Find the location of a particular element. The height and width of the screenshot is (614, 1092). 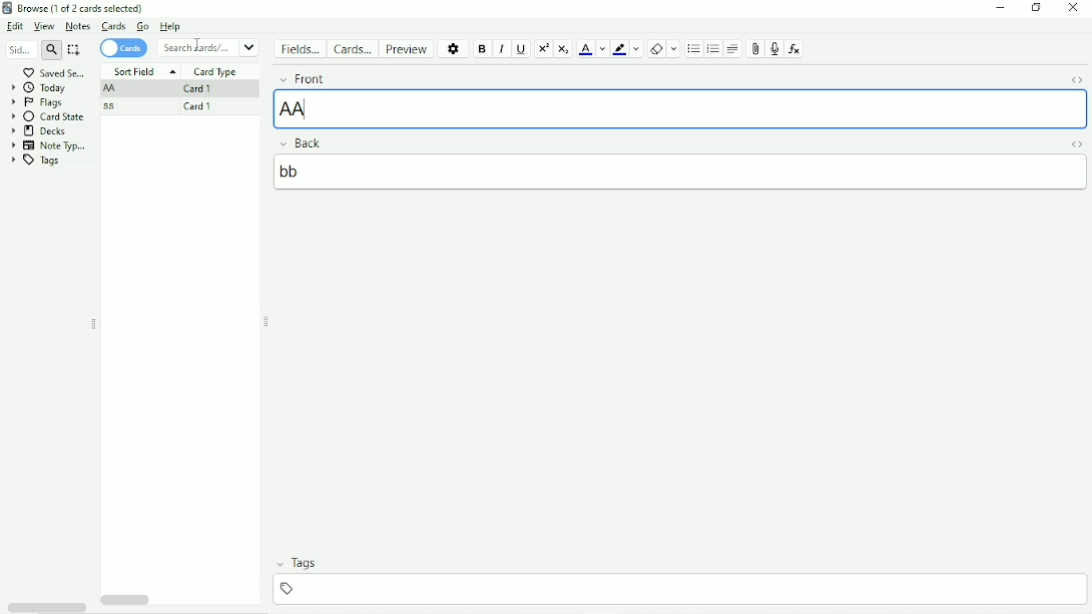

Tags is located at coordinates (40, 163).